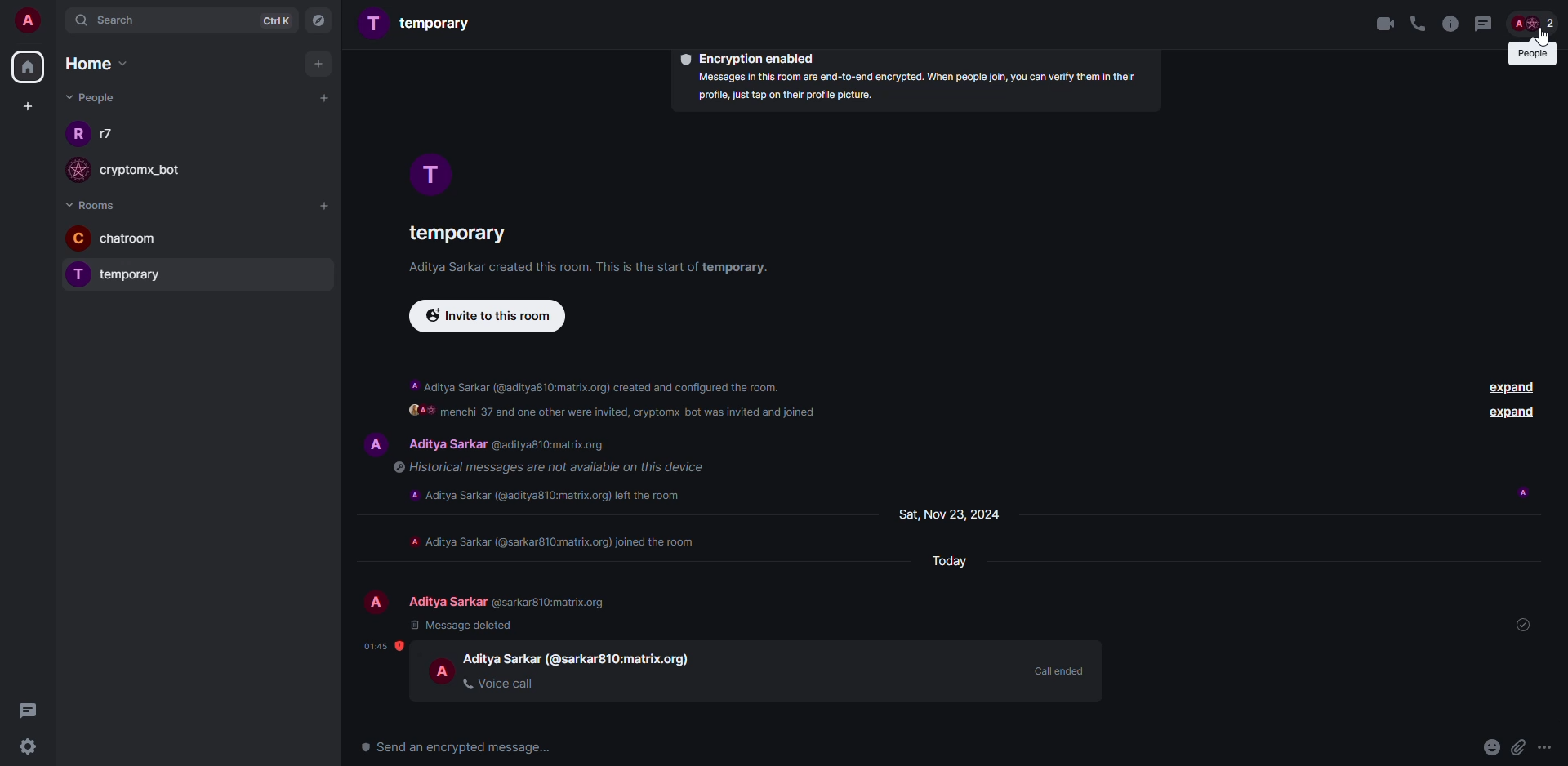  Describe the element at coordinates (949, 514) in the screenshot. I see `day` at that location.